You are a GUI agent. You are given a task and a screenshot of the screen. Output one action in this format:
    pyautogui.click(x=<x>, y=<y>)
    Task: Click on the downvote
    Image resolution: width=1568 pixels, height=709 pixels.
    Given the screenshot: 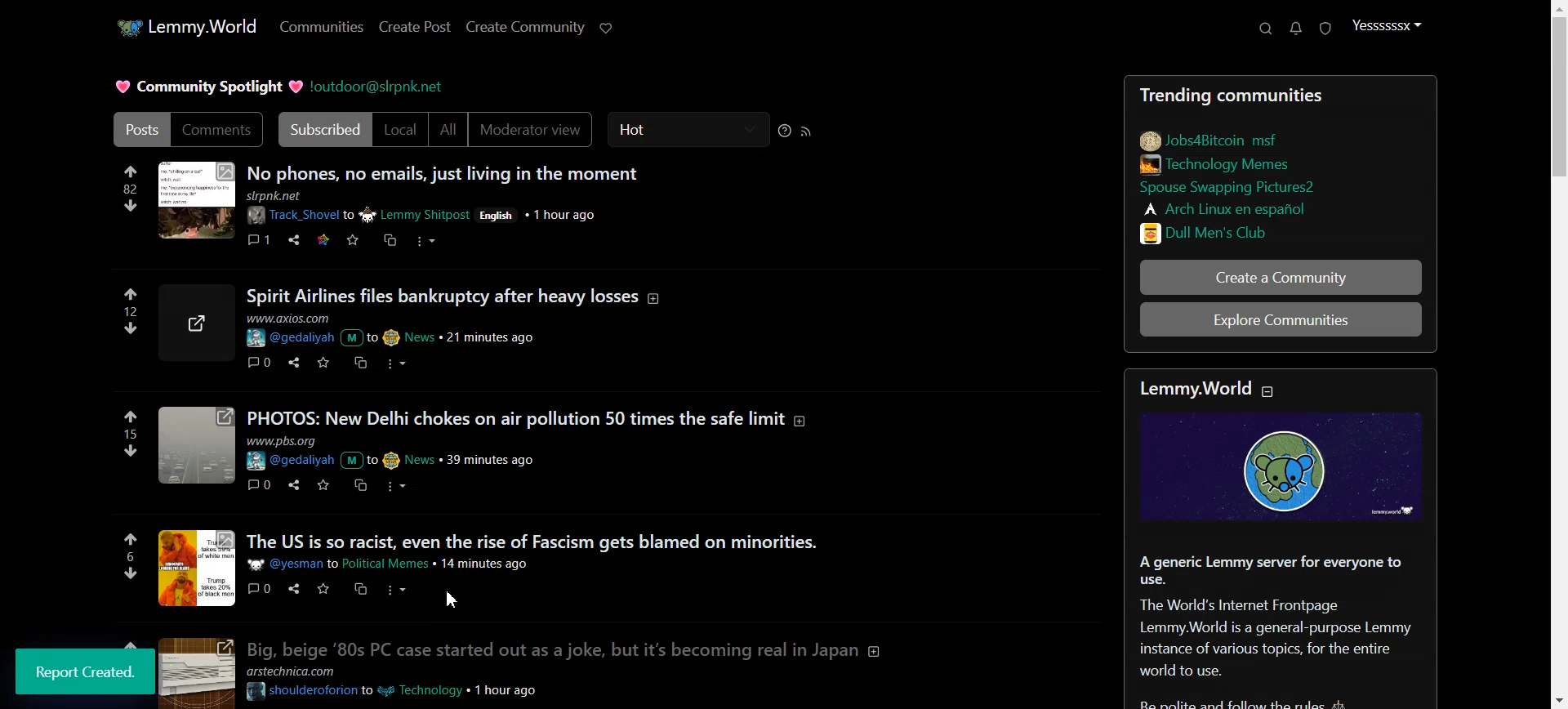 What is the action you would take?
    pyautogui.click(x=131, y=205)
    